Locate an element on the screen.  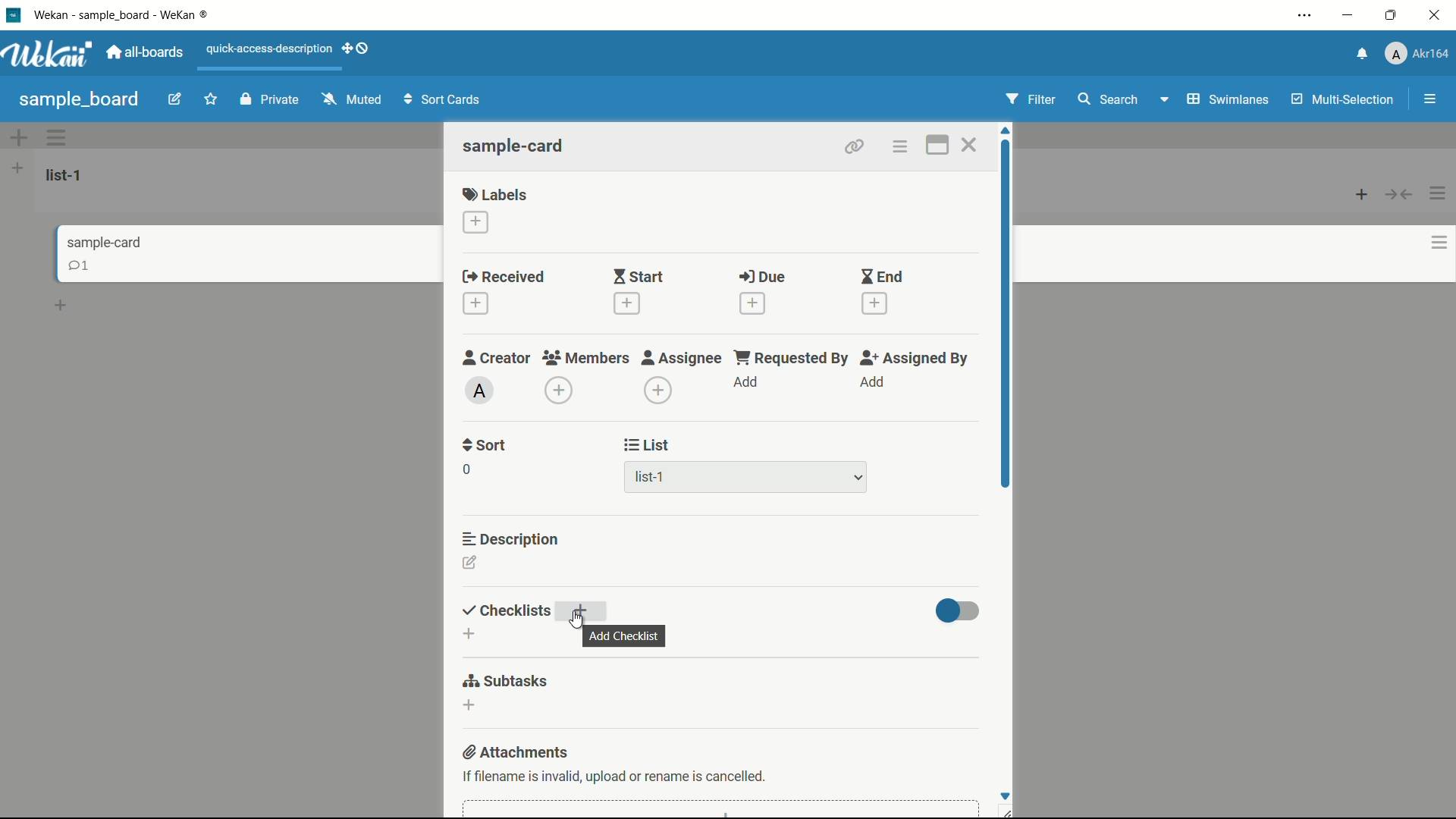
Filter is located at coordinates (1031, 101).